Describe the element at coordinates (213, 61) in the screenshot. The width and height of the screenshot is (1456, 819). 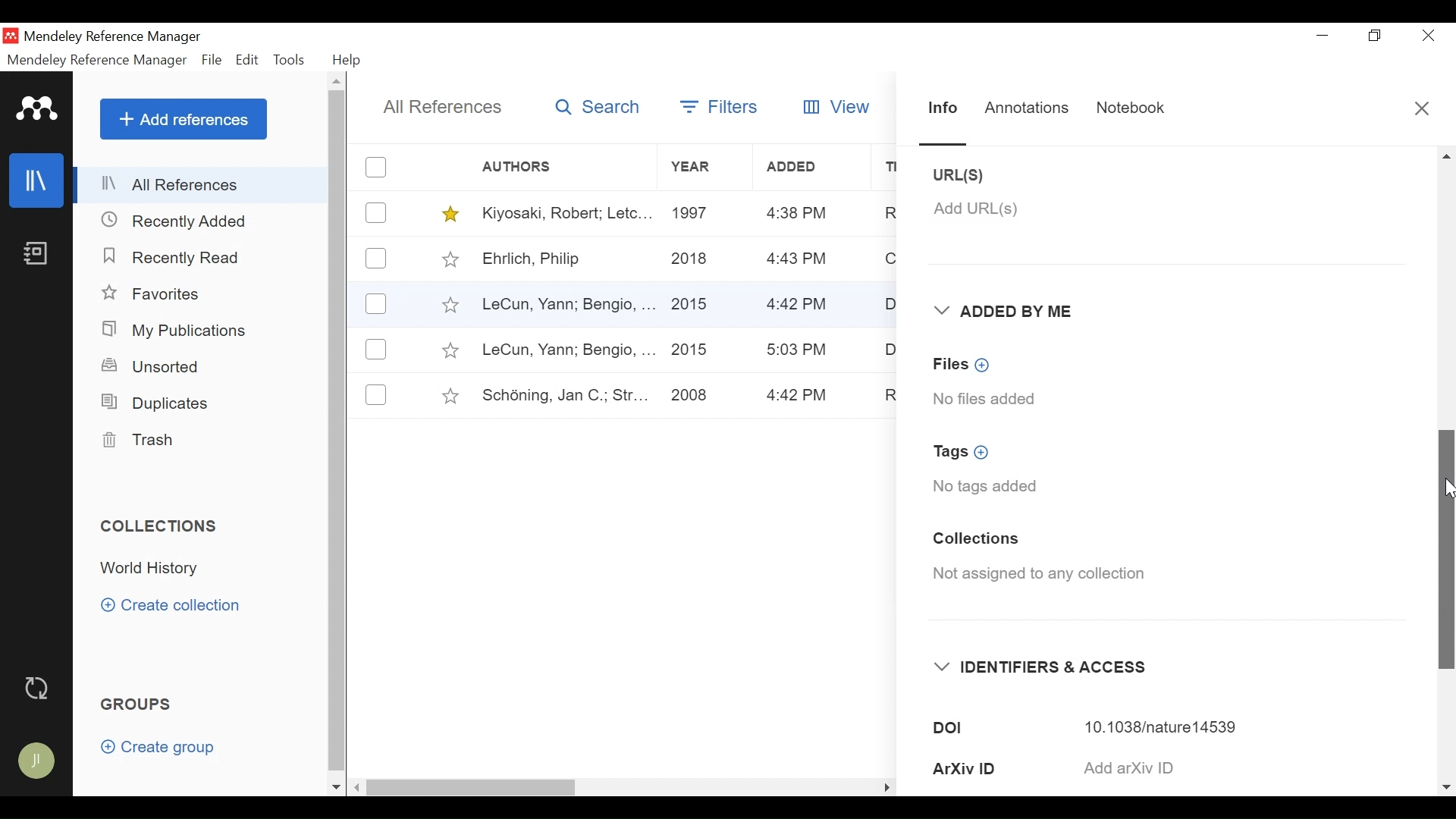
I see `File` at that location.